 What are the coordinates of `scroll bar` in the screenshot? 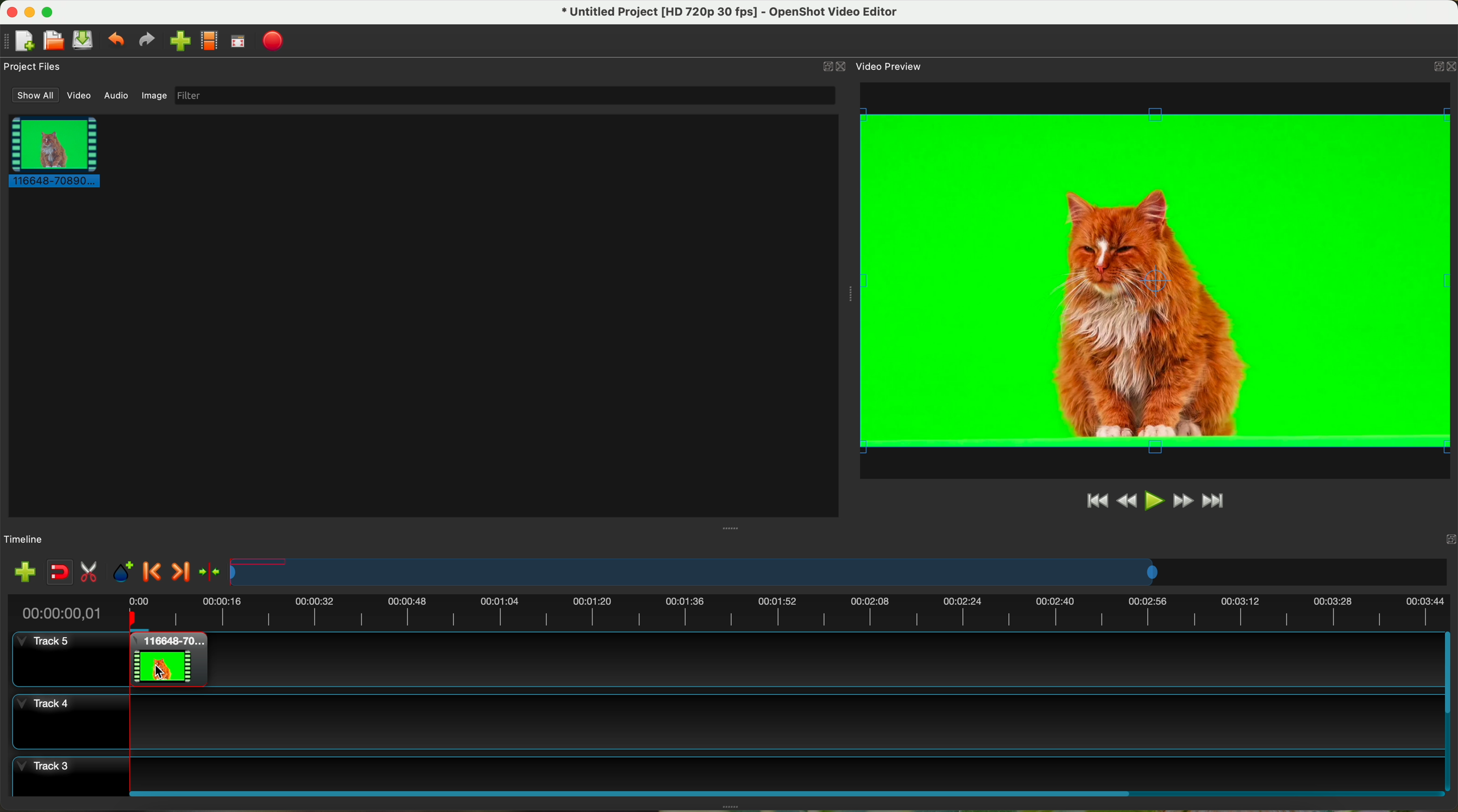 It's located at (1449, 711).